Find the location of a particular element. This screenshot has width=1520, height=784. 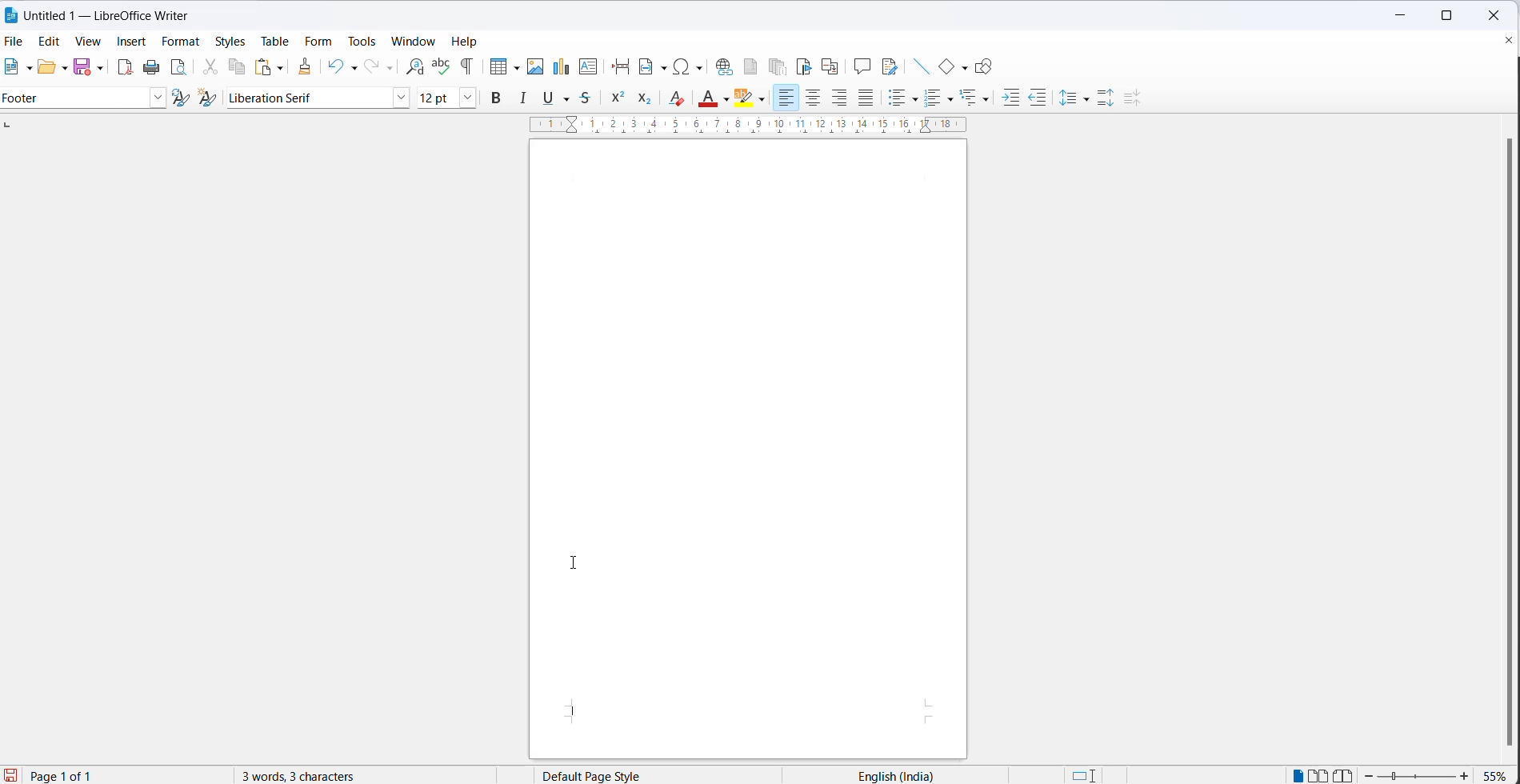

font name options is located at coordinates (399, 98).